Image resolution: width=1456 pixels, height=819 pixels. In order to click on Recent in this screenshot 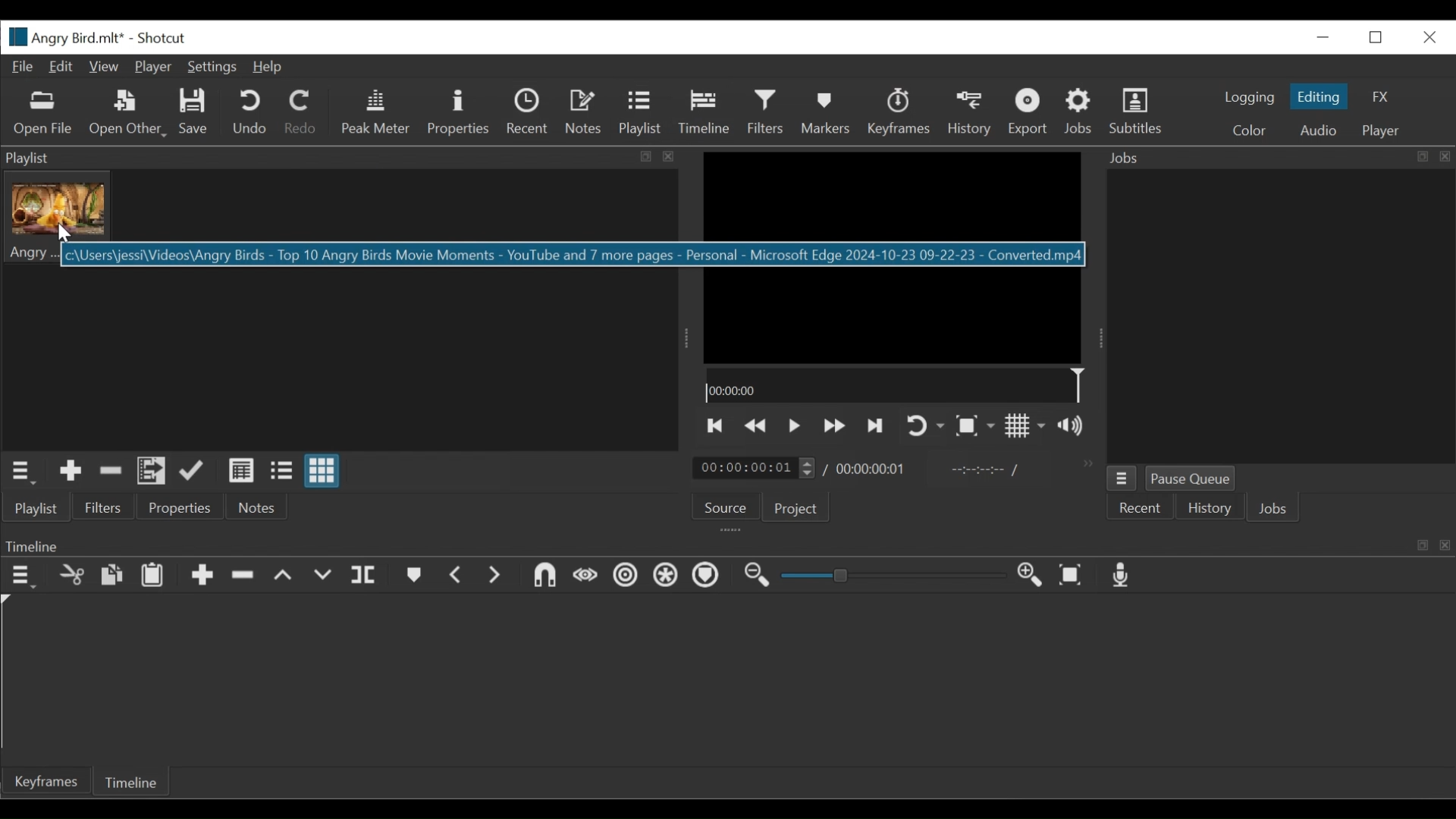, I will do `click(527, 113)`.